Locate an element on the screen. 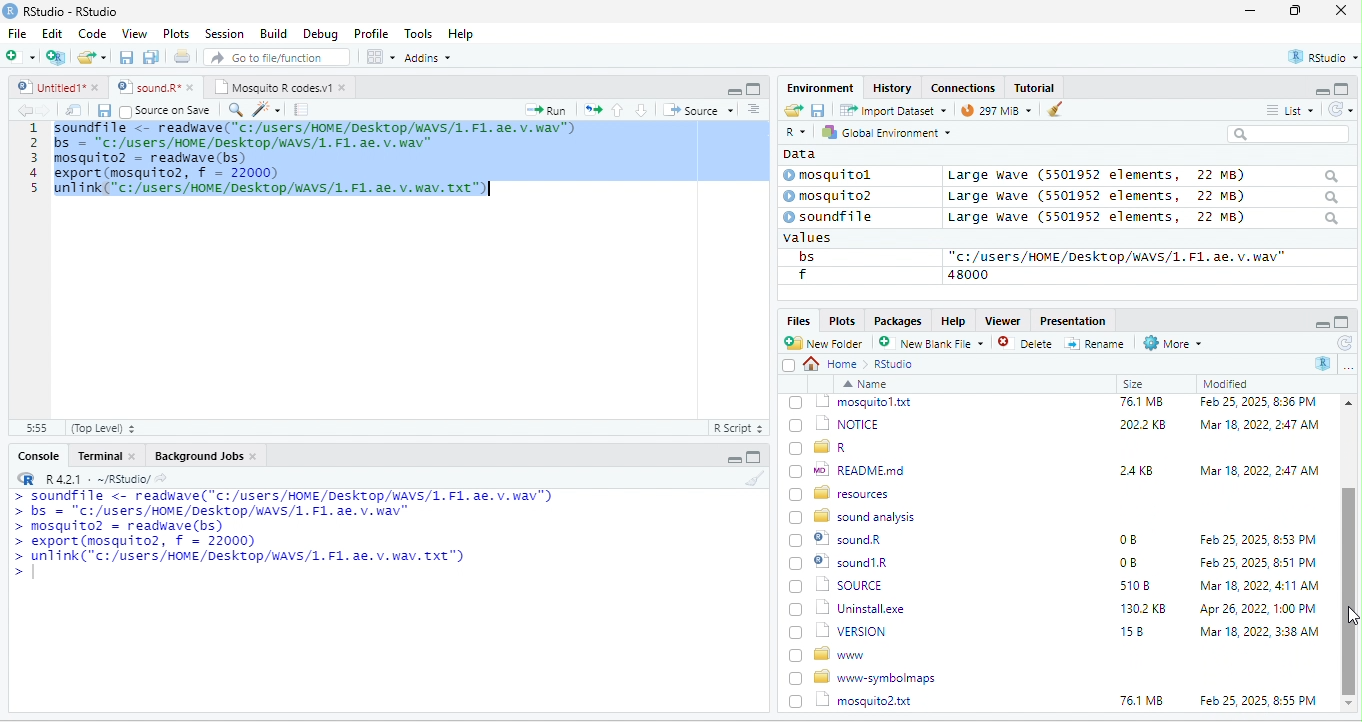 This screenshot has width=1362, height=722. down is located at coordinates (642, 109).